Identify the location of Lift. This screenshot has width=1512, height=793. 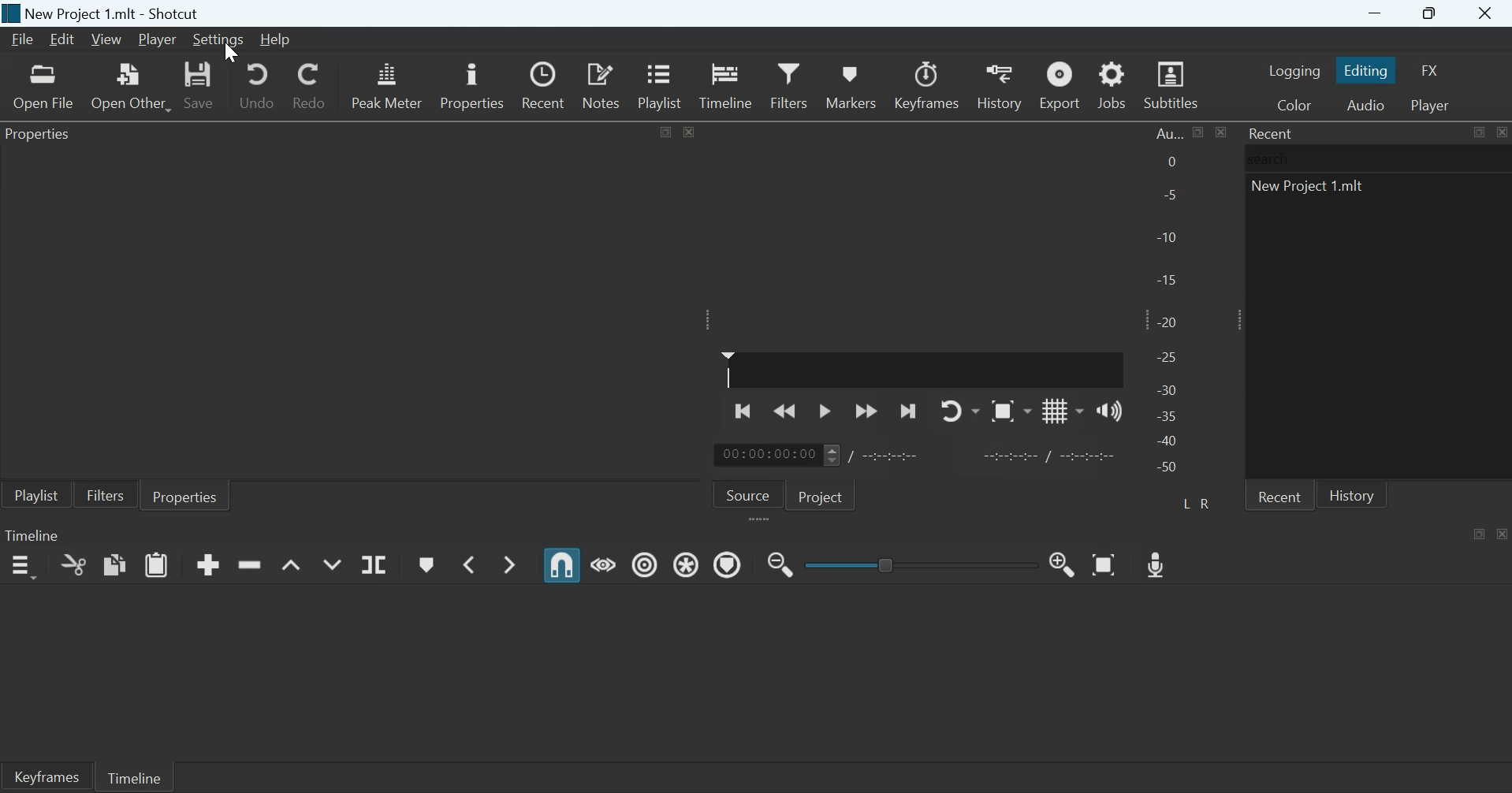
(292, 566).